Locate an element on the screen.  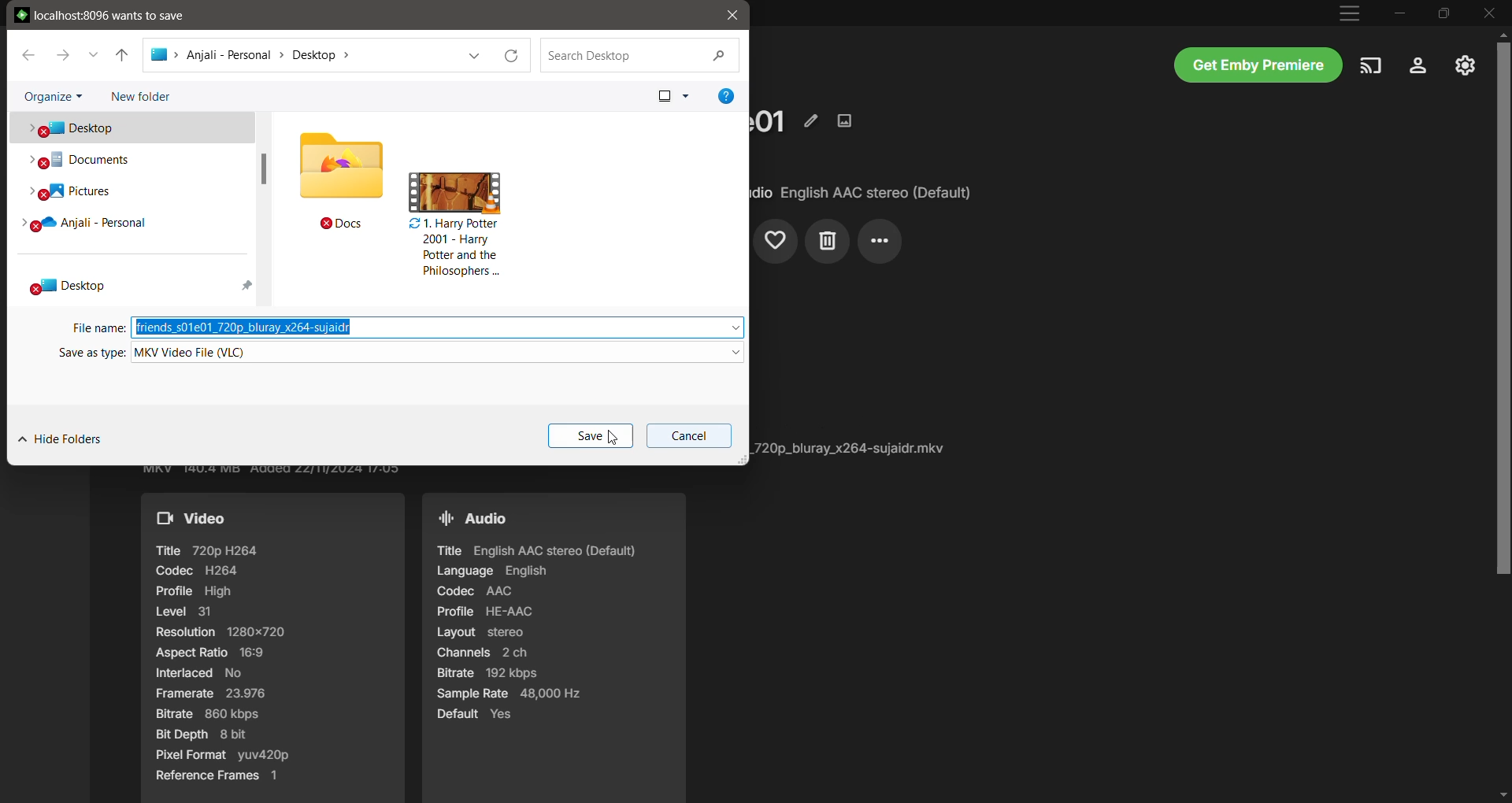
Edit Metadata is located at coordinates (811, 120).